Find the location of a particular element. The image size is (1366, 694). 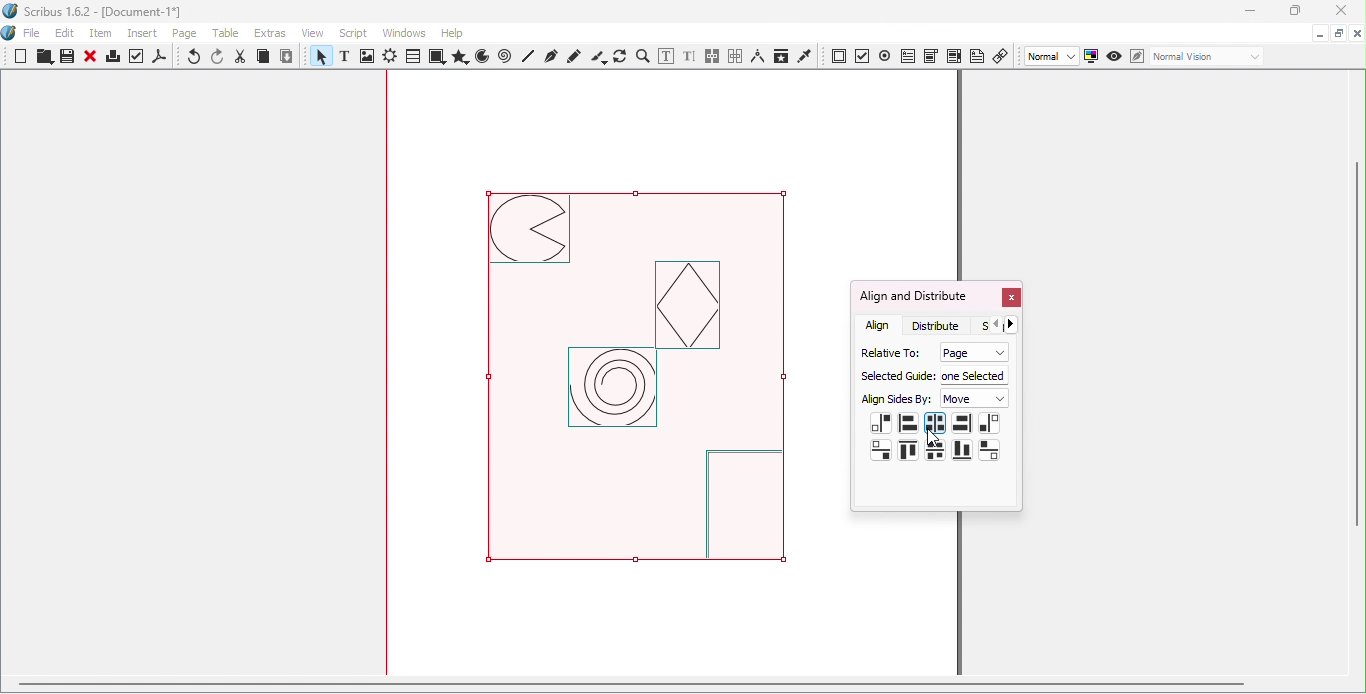

Insert is located at coordinates (145, 31).